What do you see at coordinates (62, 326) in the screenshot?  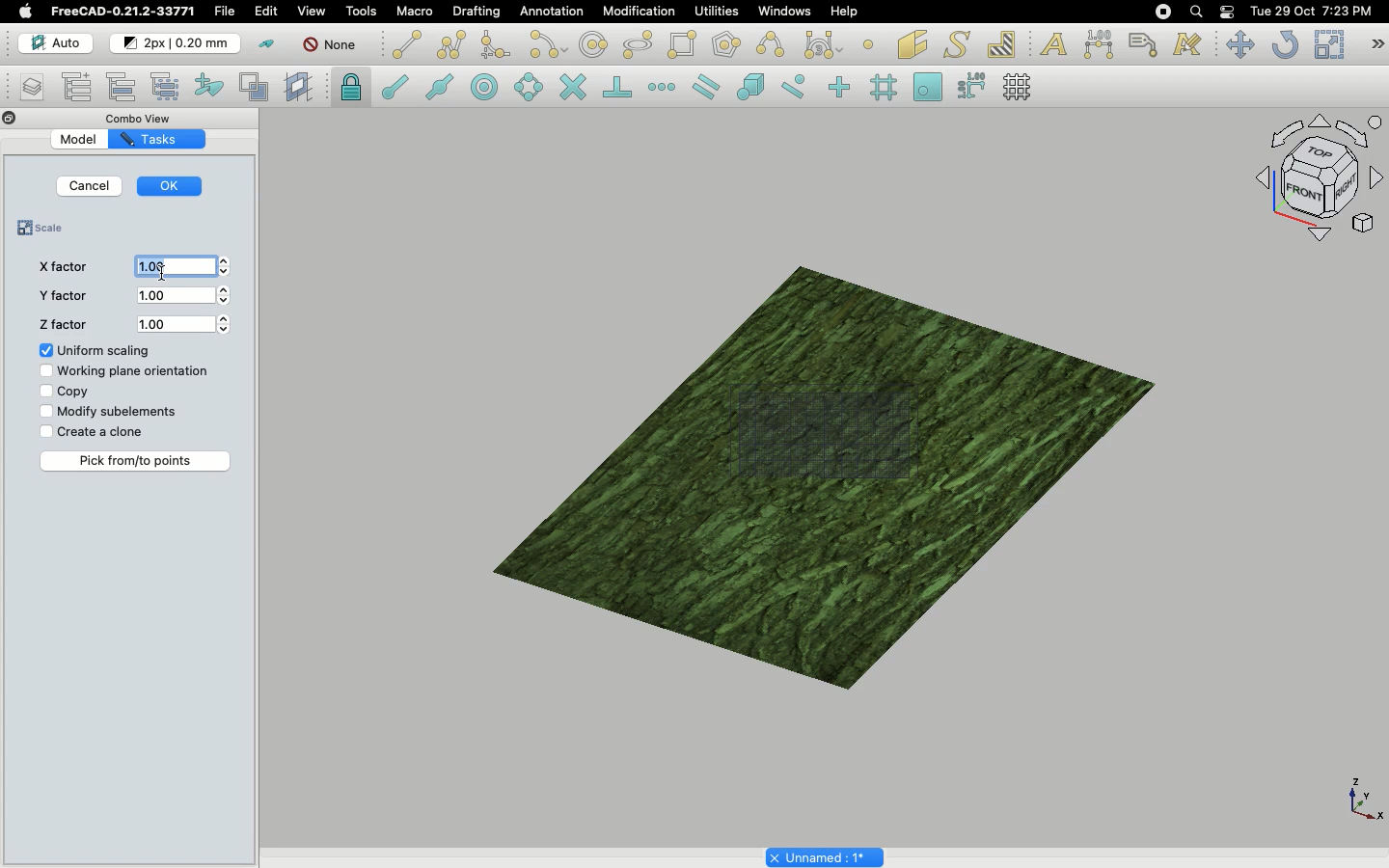 I see `Z factor` at bounding box center [62, 326].